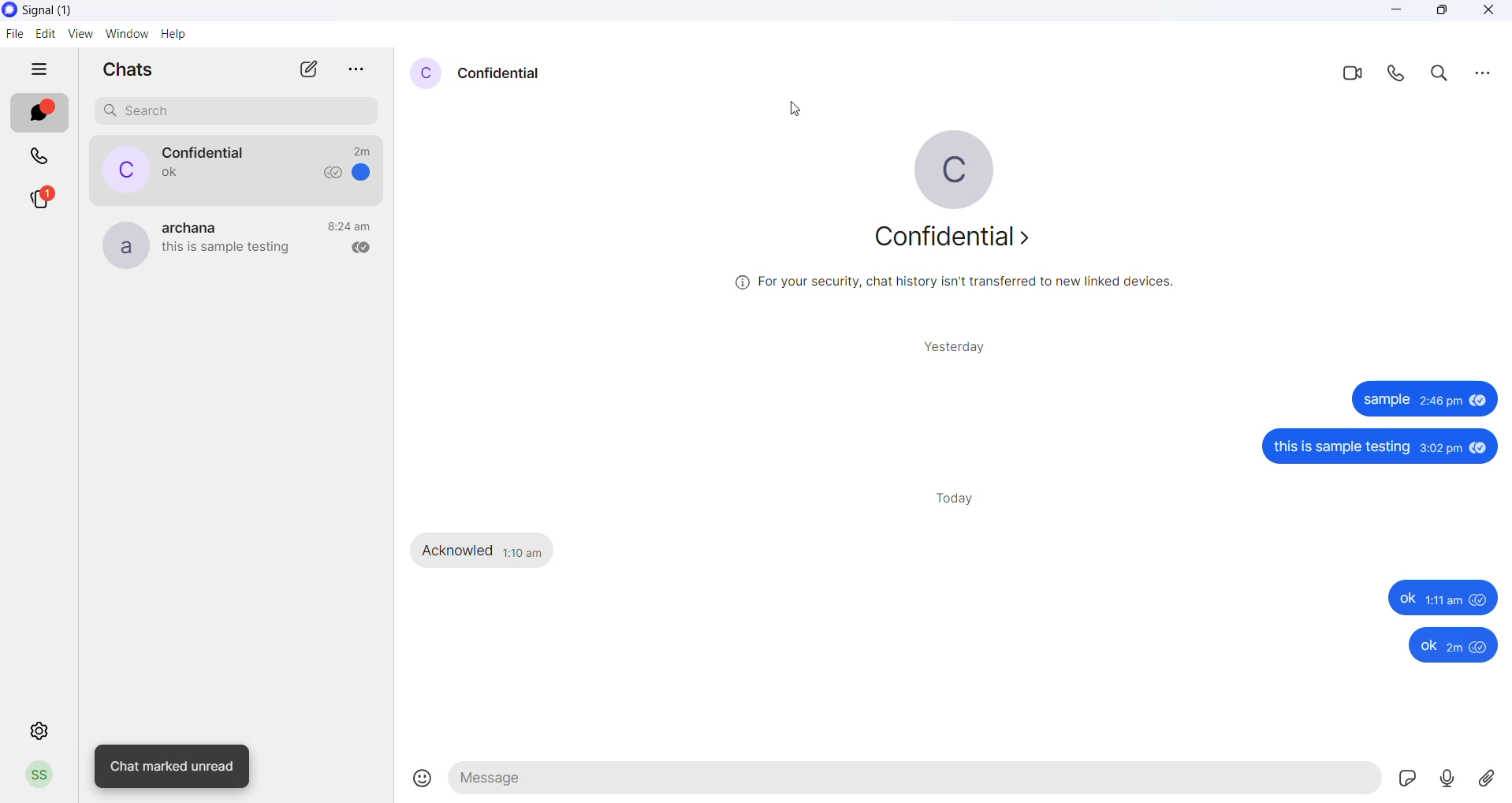  I want to click on today heading, so click(956, 499).